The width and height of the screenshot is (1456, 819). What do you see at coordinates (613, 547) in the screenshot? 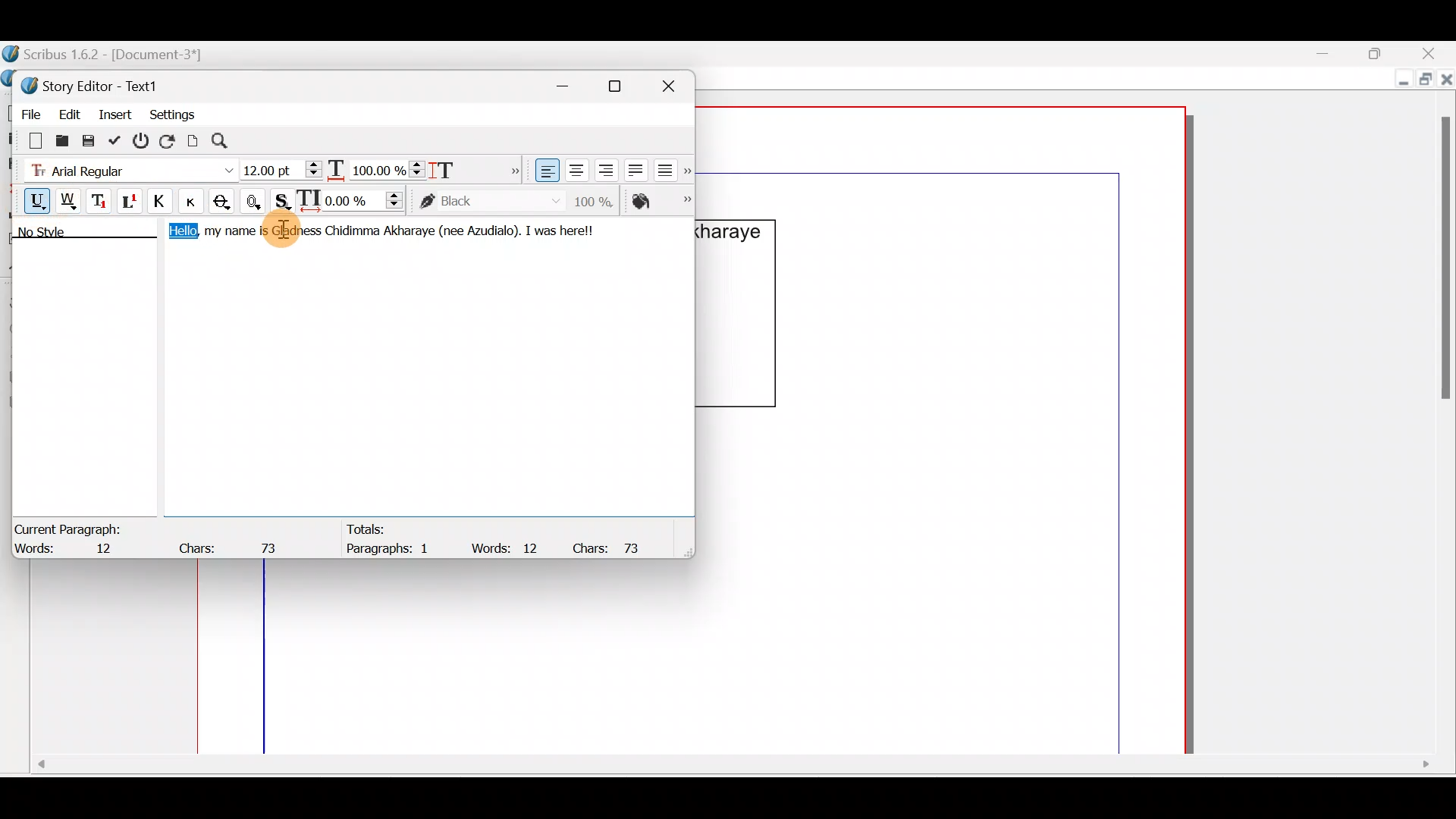
I see `Chars: 73` at bounding box center [613, 547].